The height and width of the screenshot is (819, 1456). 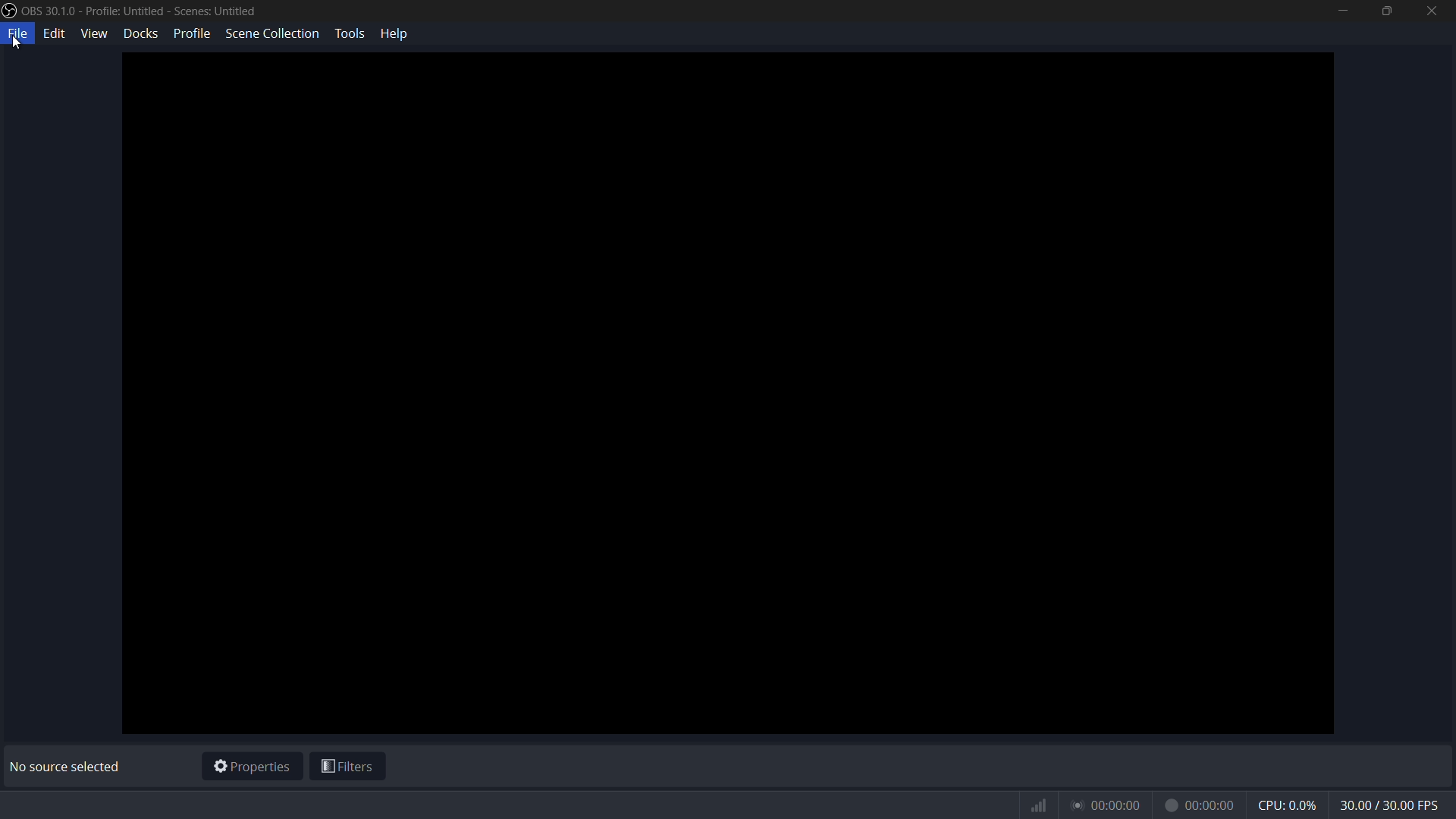 What do you see at coordinates (348, 769) in the screenshot?
I see `filters` at bounding box center [348, 769].